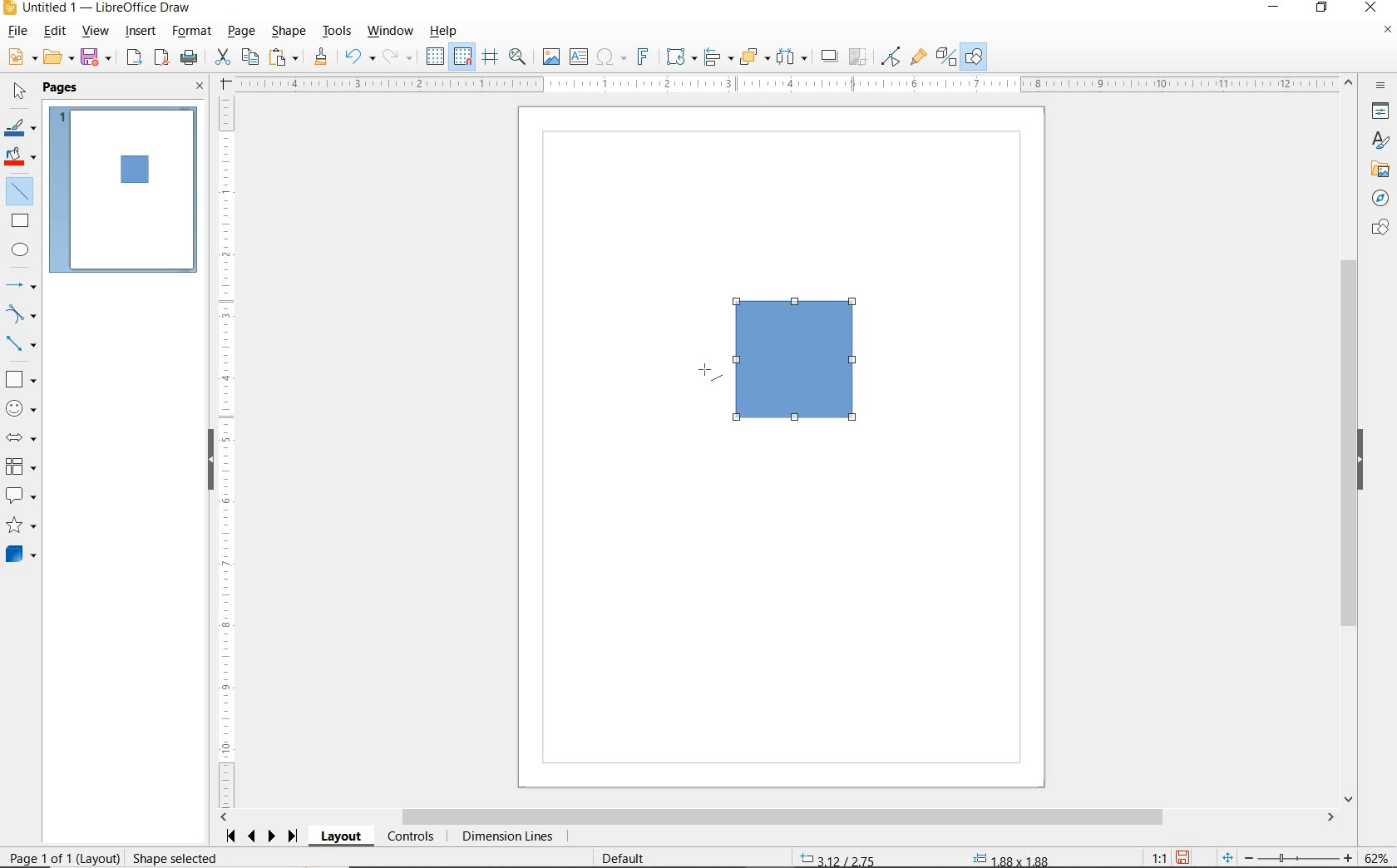 This screenshot has width=1397, height=868. I want to click on SQUARE, so click(796, 361).